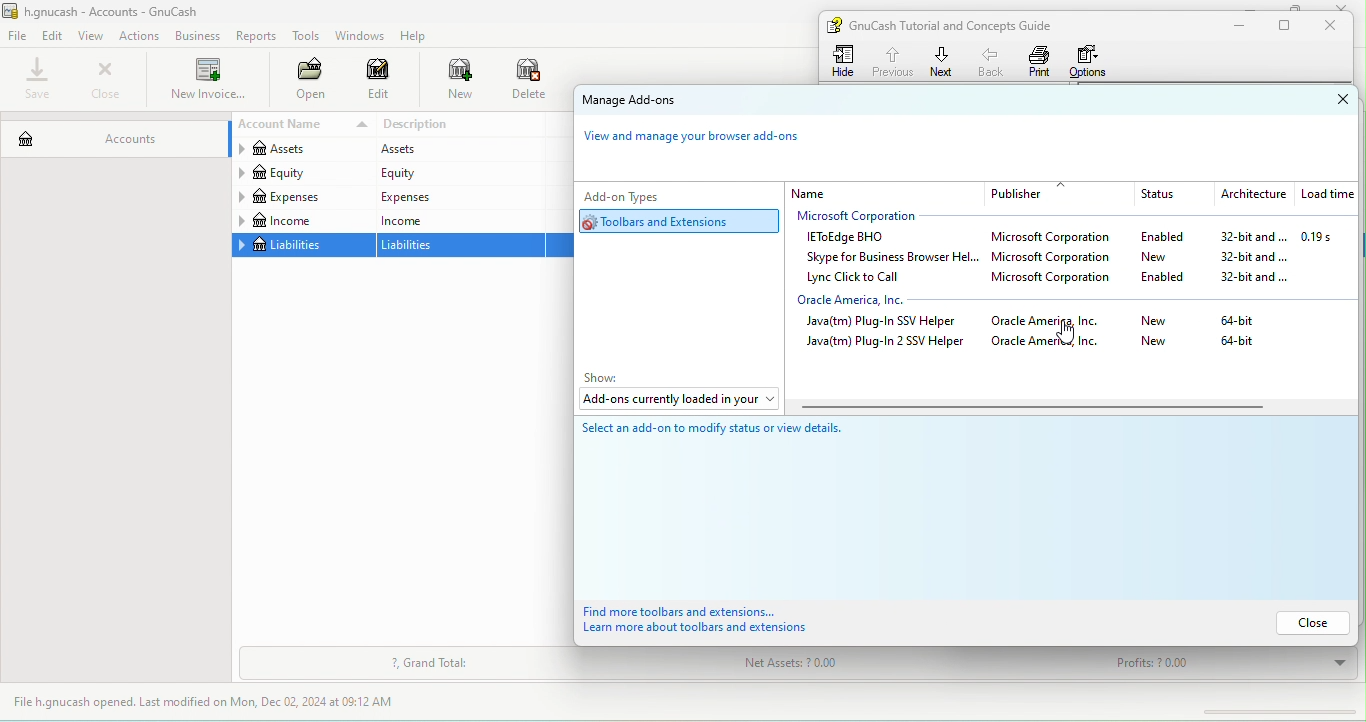 This screenshot has width=1366, height=722. Describe the element at coordinates (654, 195) in the screenshot. I see `add on types` at that location.